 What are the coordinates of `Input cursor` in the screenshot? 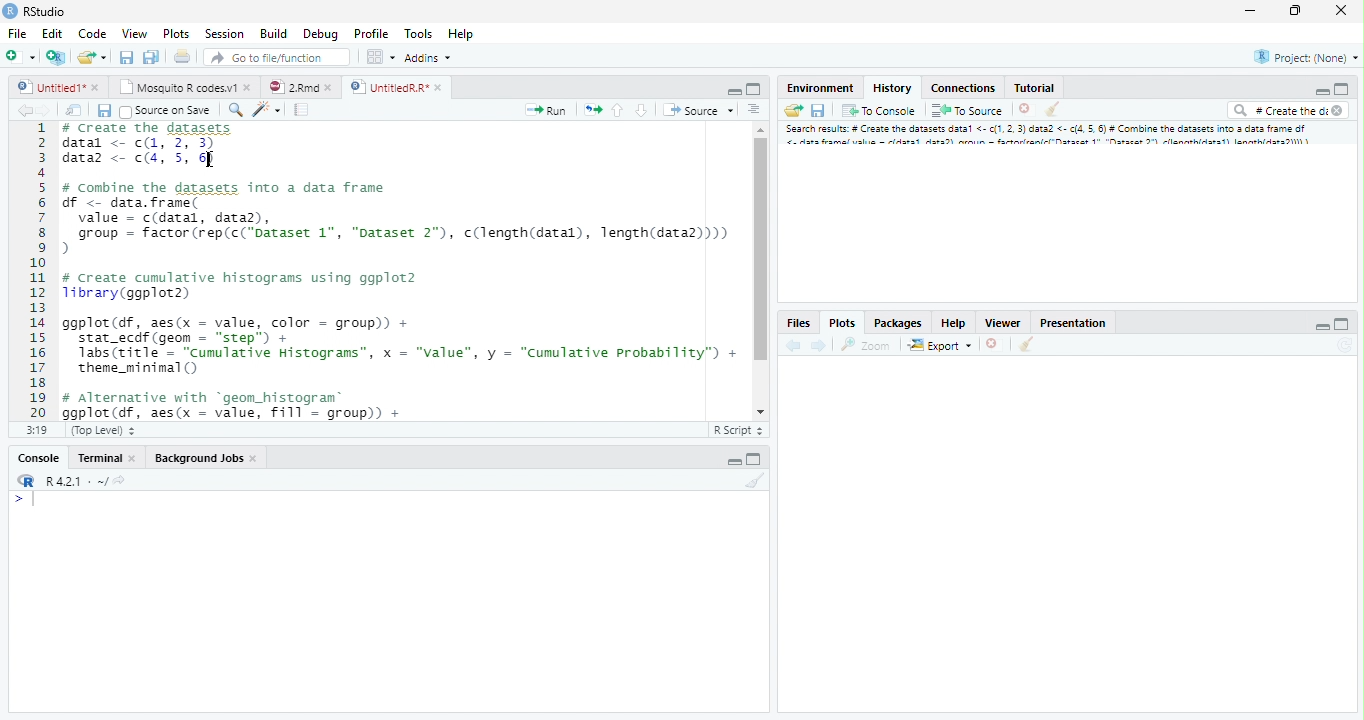 It's located at (30, 500).